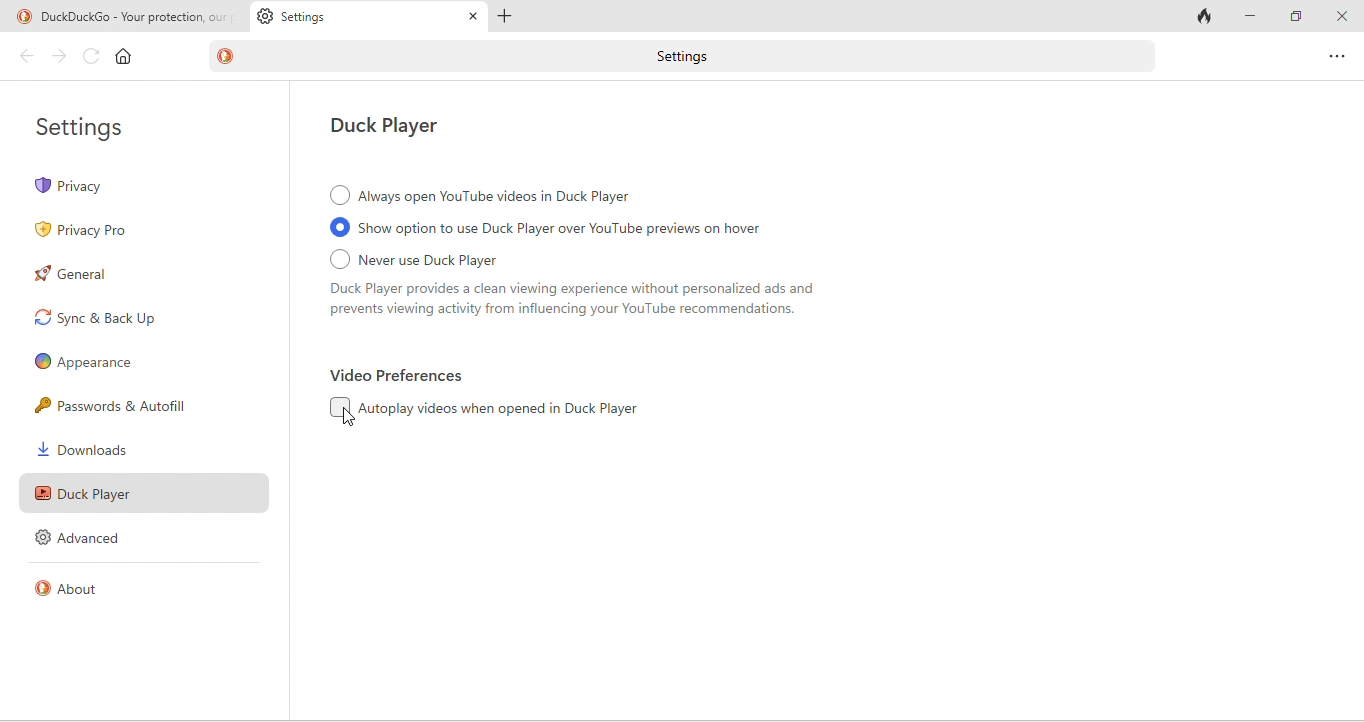 The height and width of the screenshot is (722, 1364). I want to click on sync and back up, so click(130, 318).